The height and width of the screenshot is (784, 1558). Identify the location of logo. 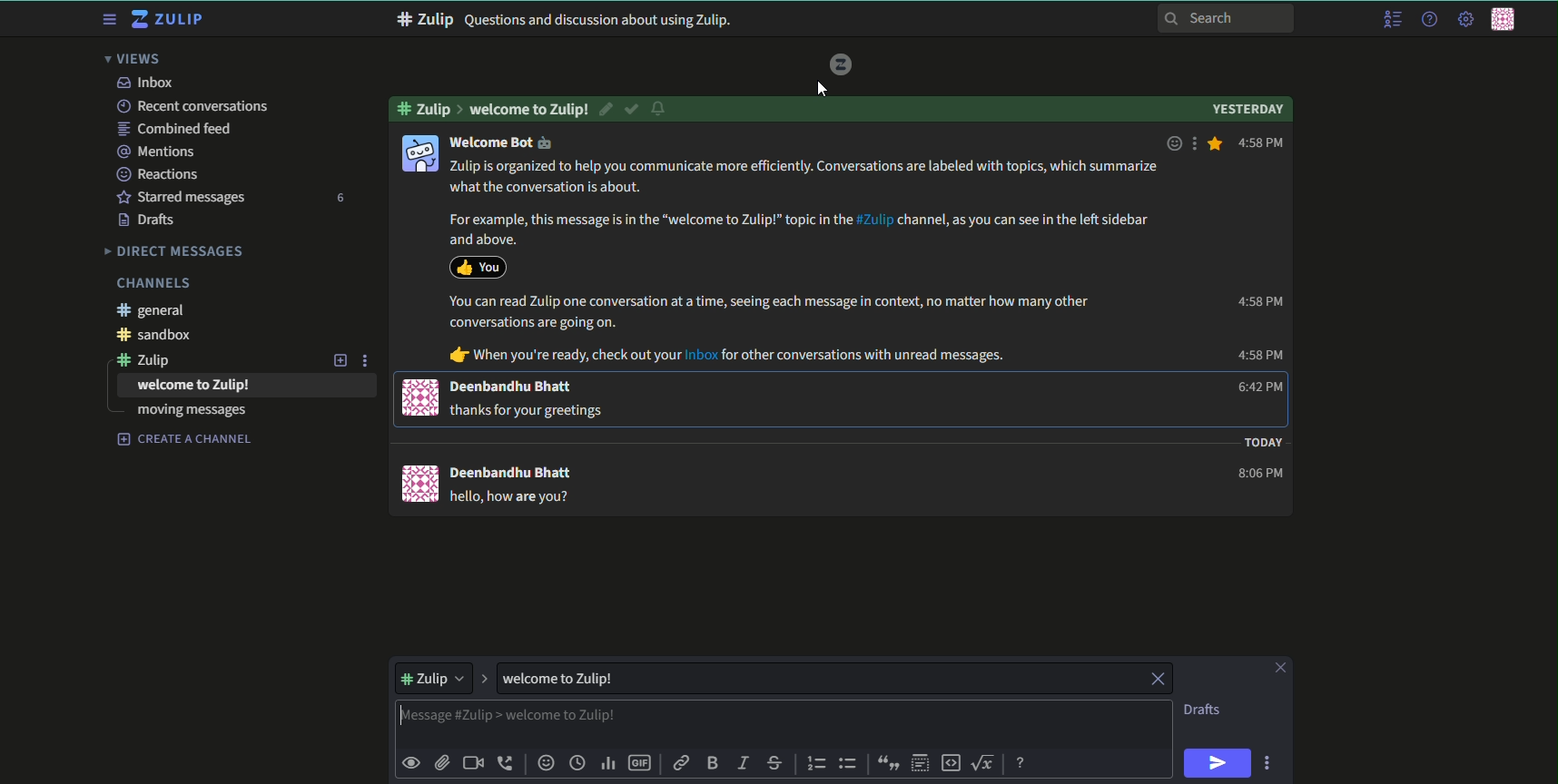
(842, 64).